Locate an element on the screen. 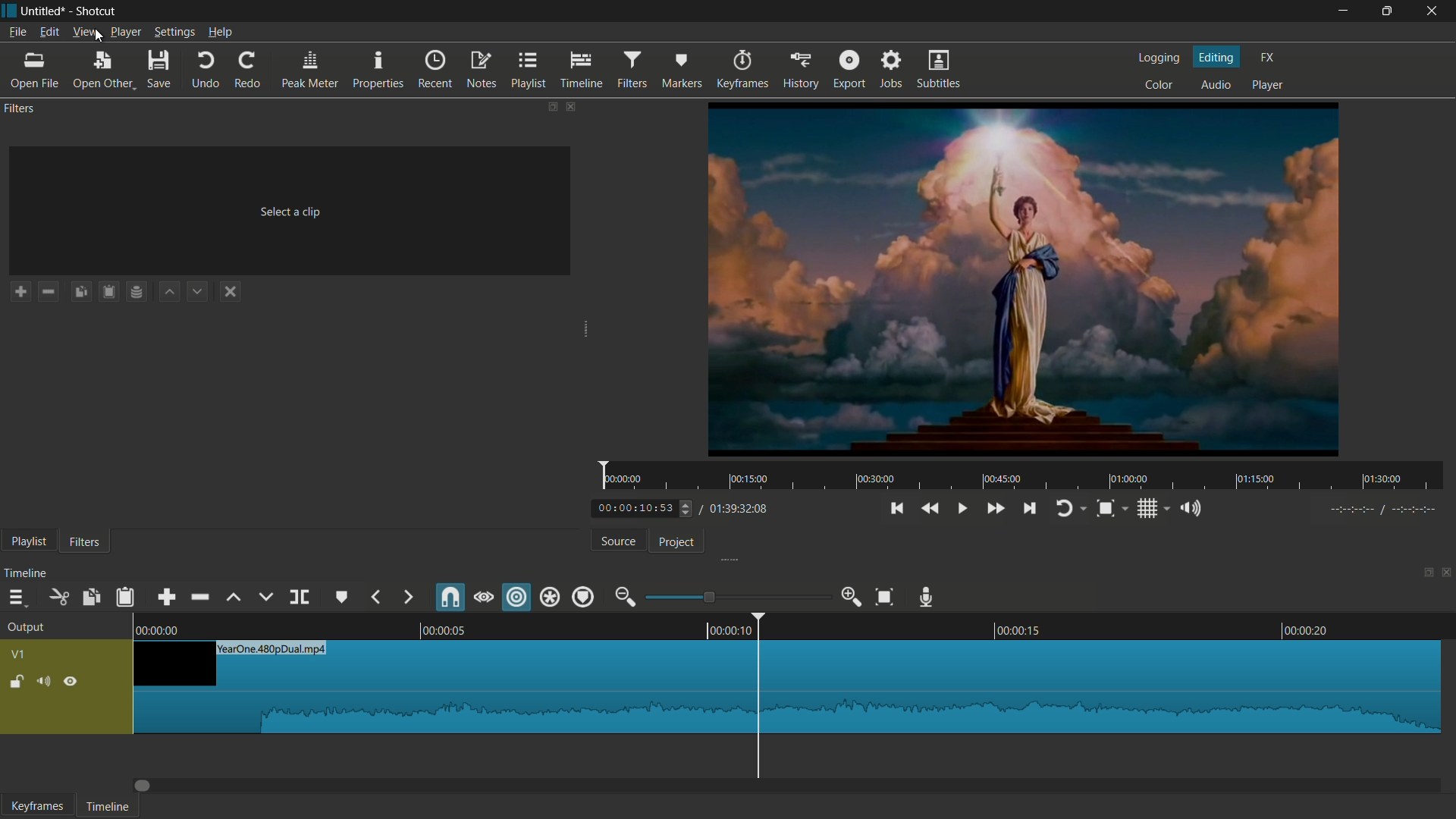 Image resolution: width=1456 pixels, height=819 pixels. ripple all tracks is located at coordinates (550, 597).